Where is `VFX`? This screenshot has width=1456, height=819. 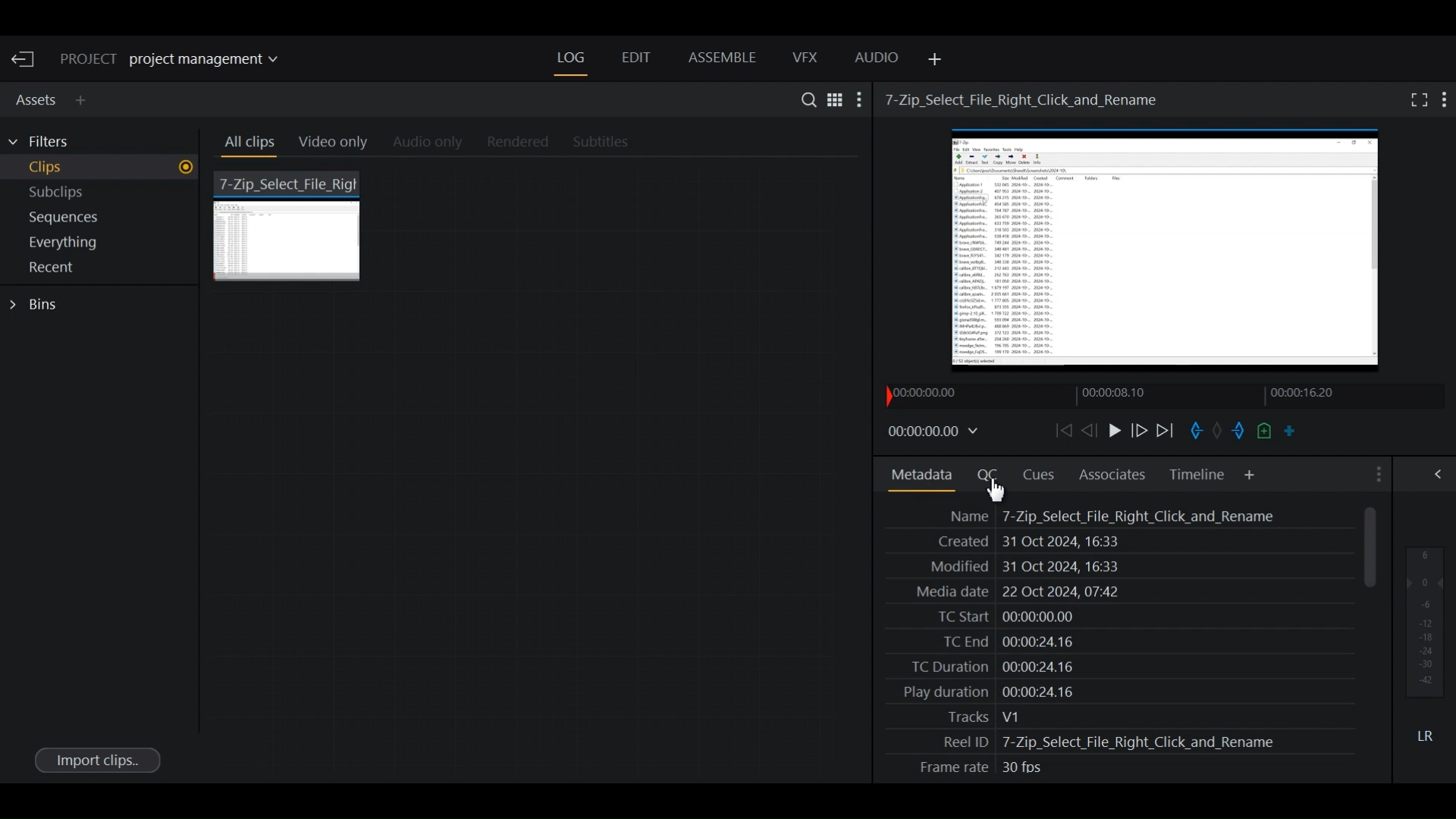
VFX is located at coordinates (806, 58).